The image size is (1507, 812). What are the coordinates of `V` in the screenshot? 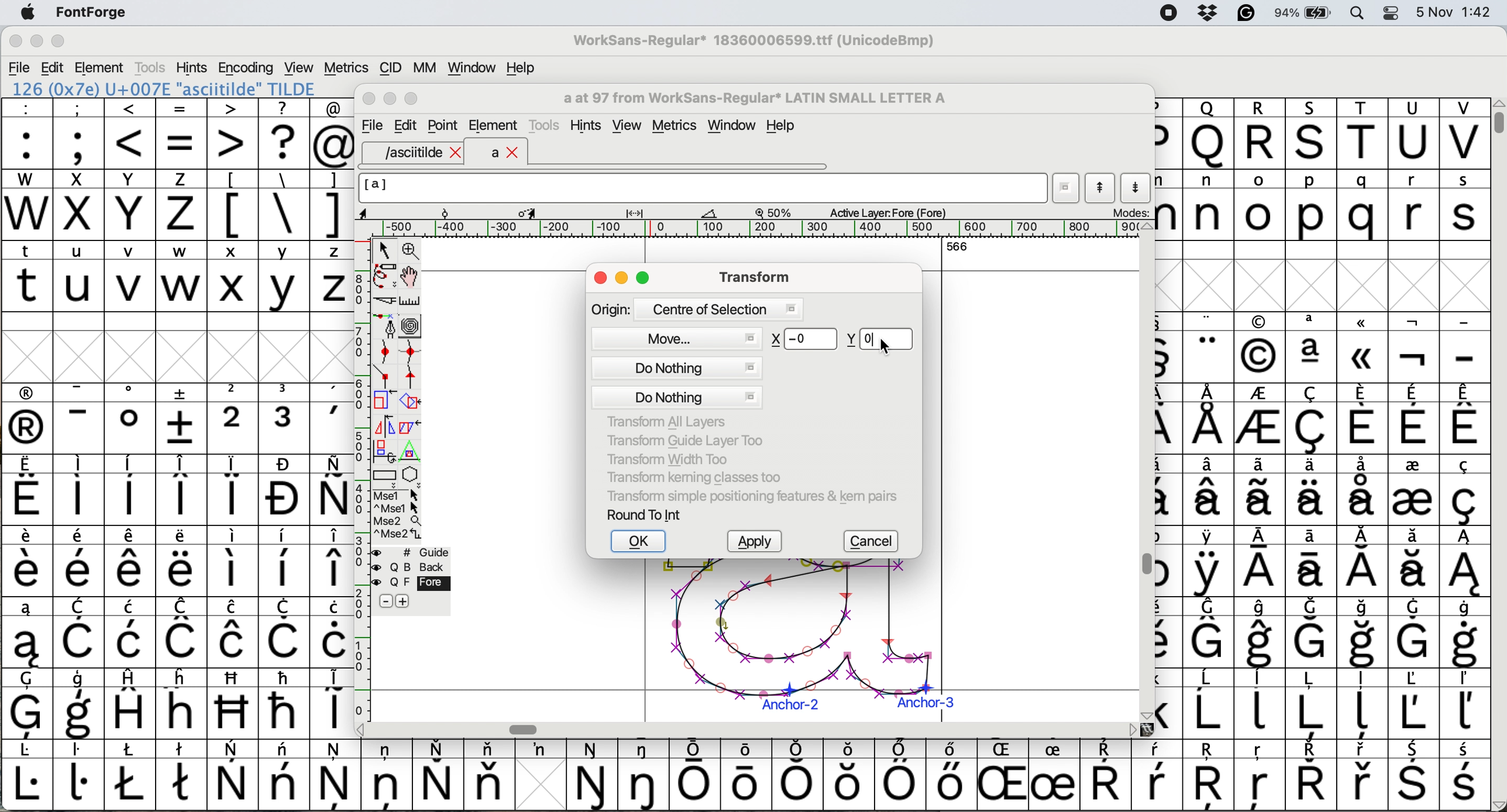 It's located at (1464, 134).